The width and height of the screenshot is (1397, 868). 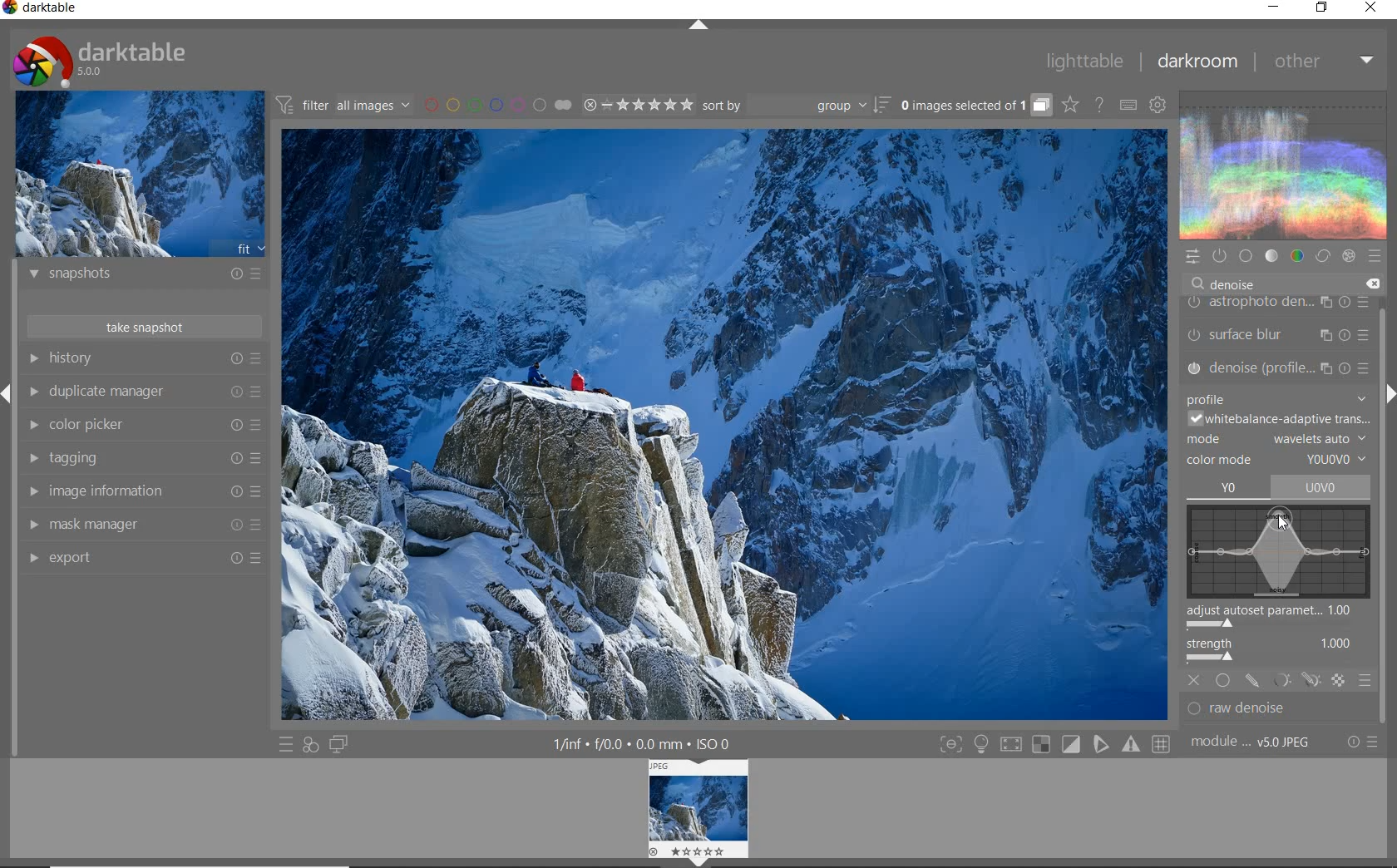 What do you see at coordinates (1277, 461) in the screenshot?
I see `COLOR MODE: YOUOVO` at bounding box center [1277, 461].